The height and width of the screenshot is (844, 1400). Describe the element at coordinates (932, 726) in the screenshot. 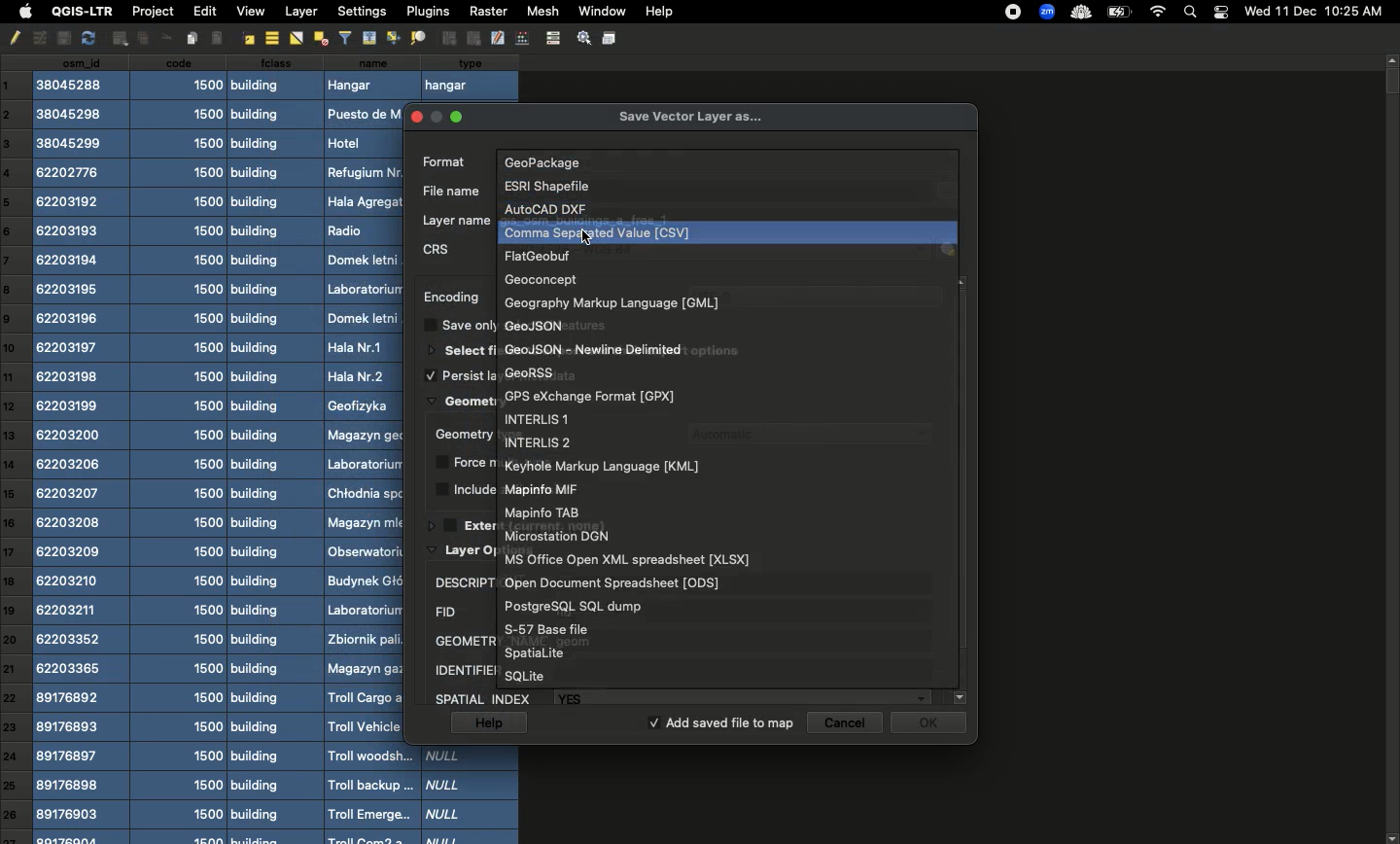

I see `Ok` at that location.